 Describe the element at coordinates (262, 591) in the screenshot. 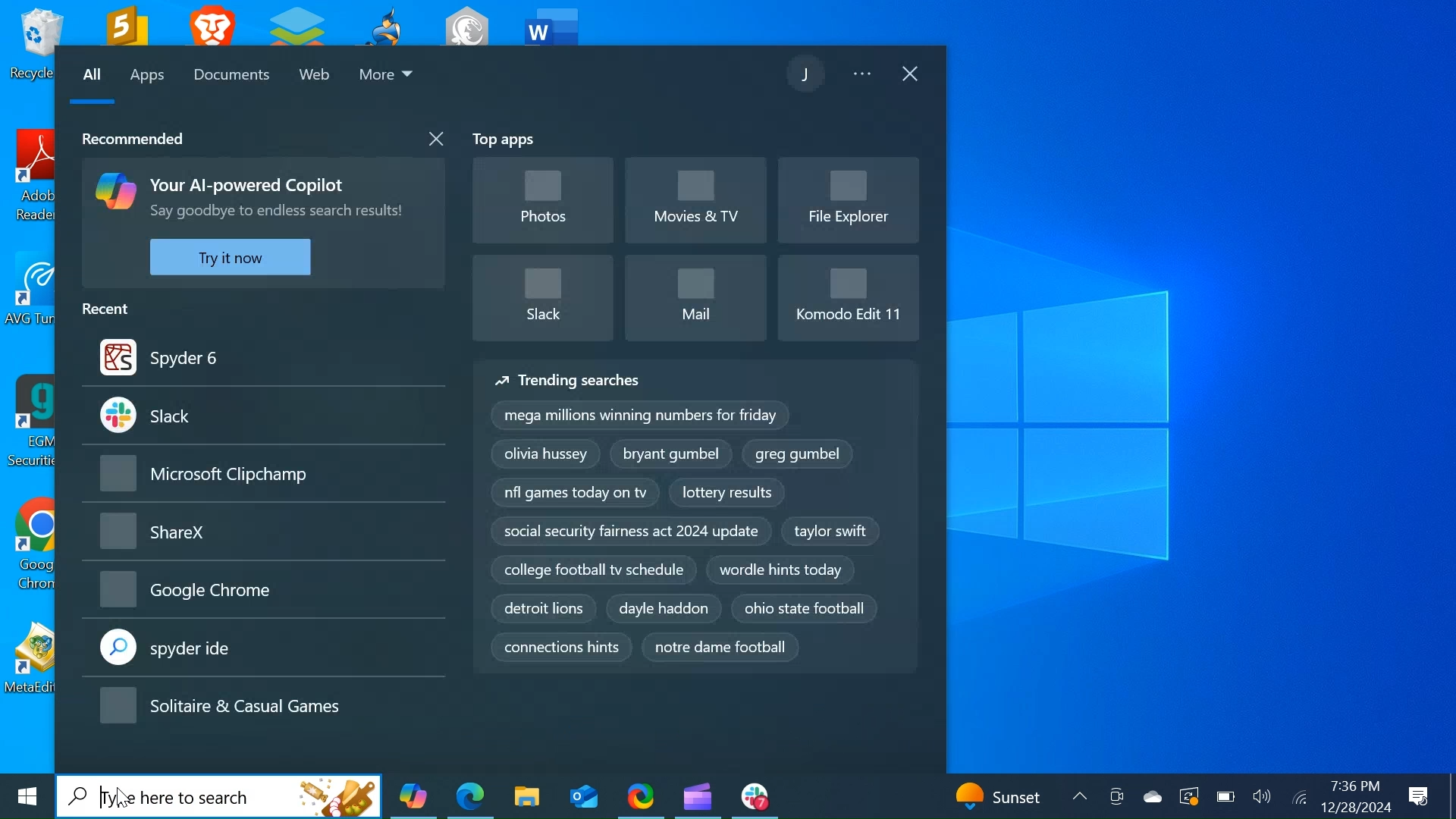

I see `Google Chrome` at that location.